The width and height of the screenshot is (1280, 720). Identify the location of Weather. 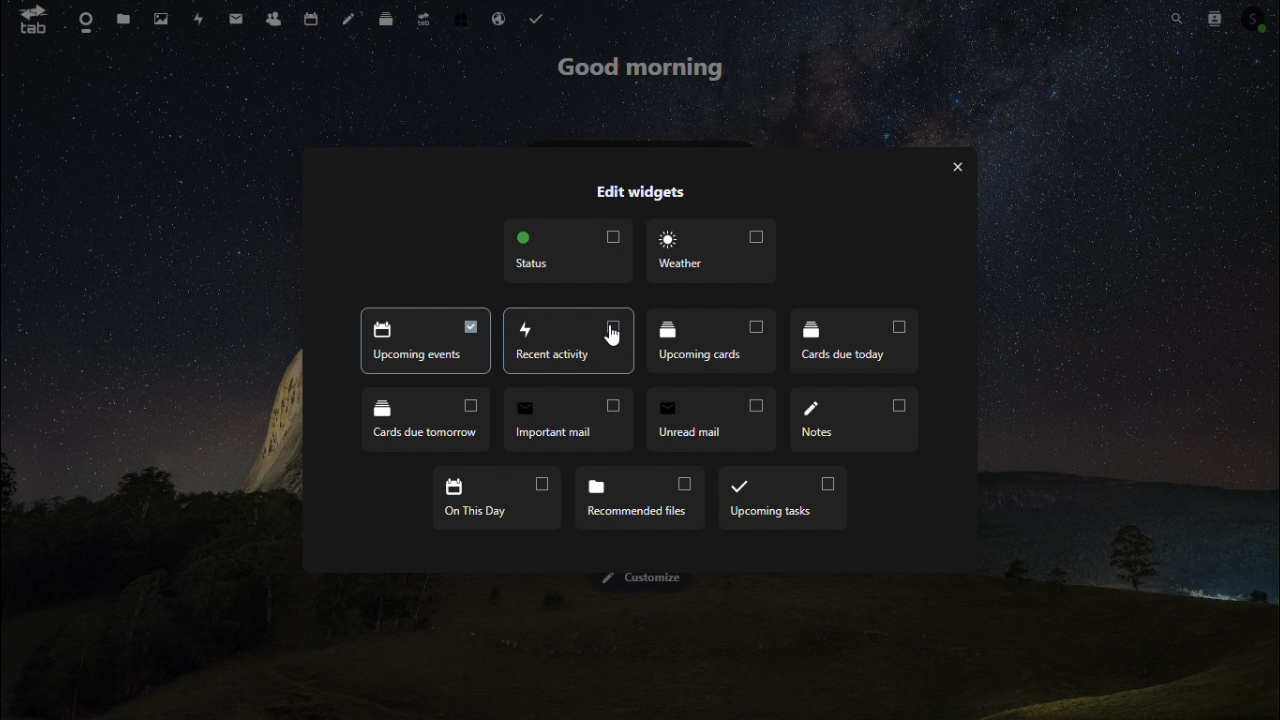
(707, 249).